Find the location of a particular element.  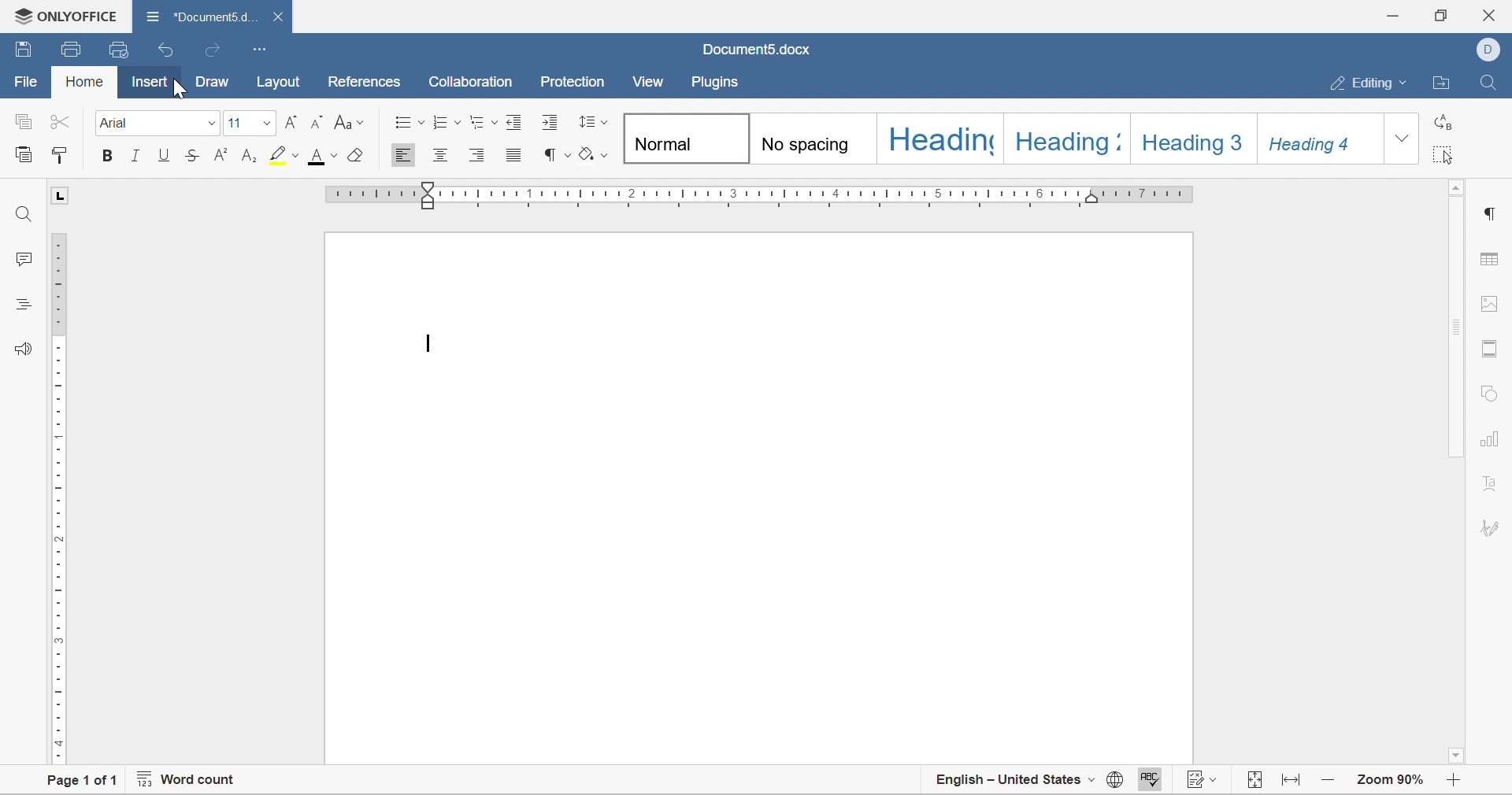

paragraph settings is located at coordinates (1495, 213).